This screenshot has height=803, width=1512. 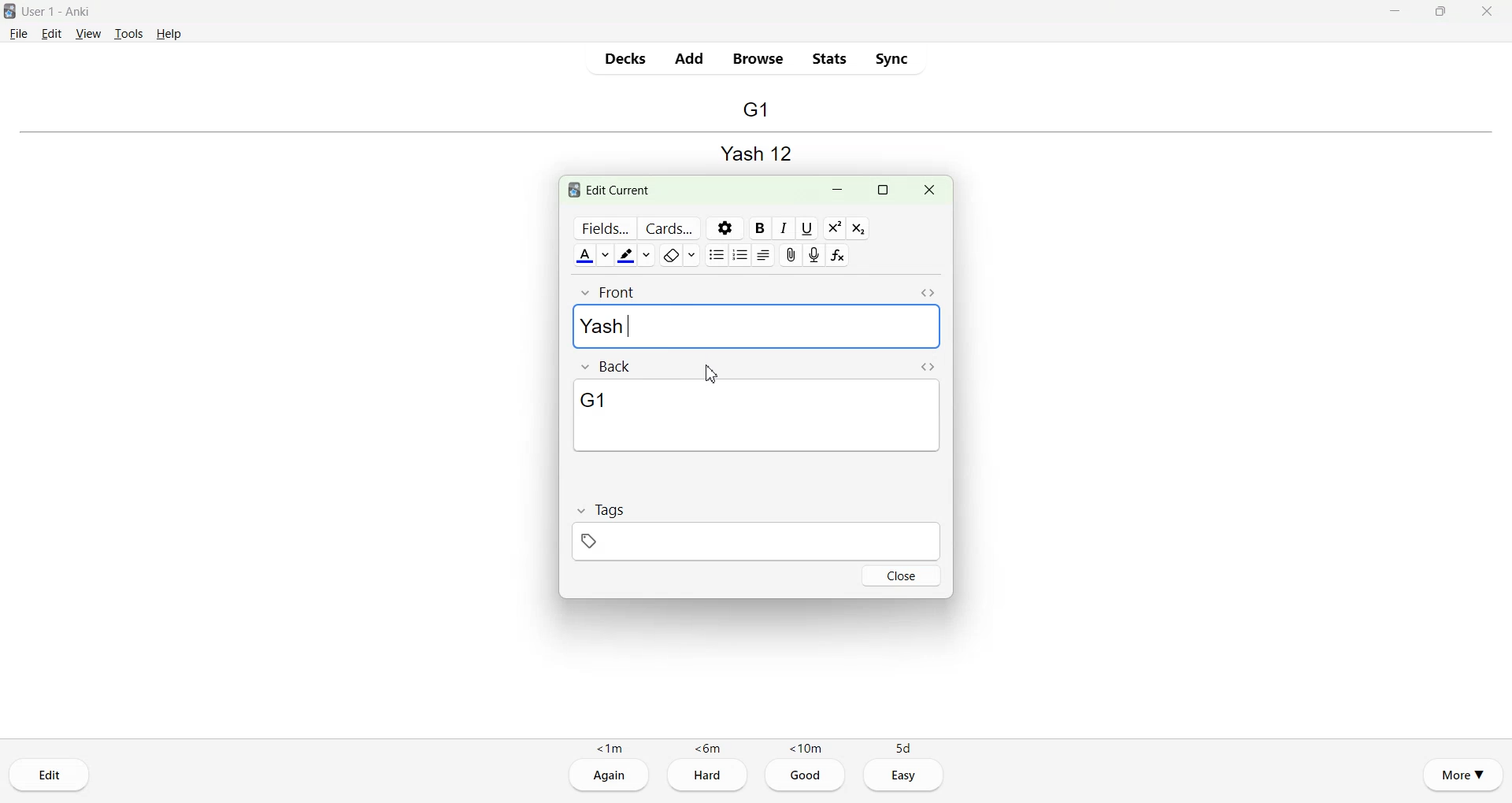 What do you see at coordinates (814, 255) in the screenshot?
I see `Record Audio` at bounding box center [814, 255].